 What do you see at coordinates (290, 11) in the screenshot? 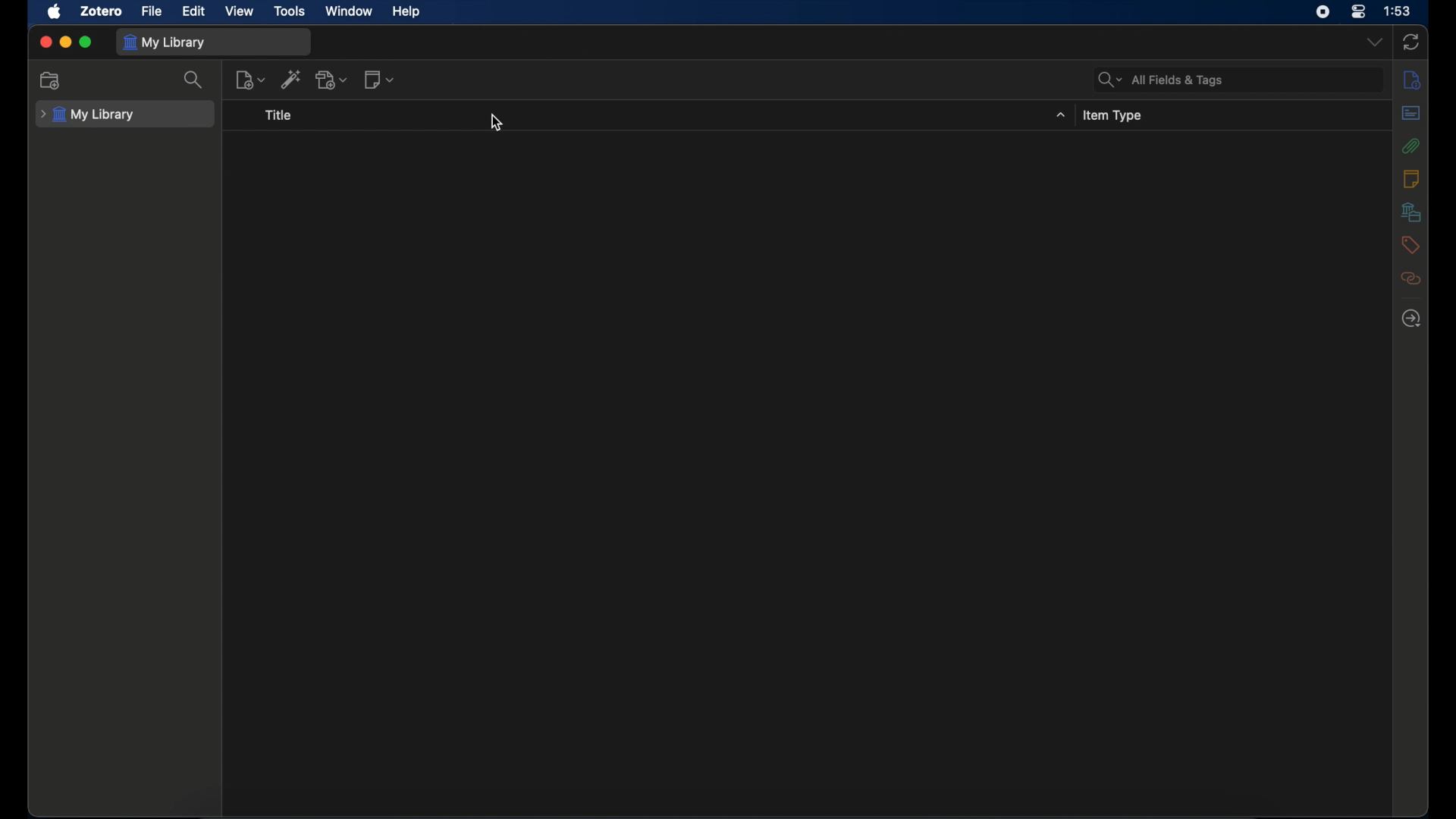
I see `tools` at bounding box center [290, 11].